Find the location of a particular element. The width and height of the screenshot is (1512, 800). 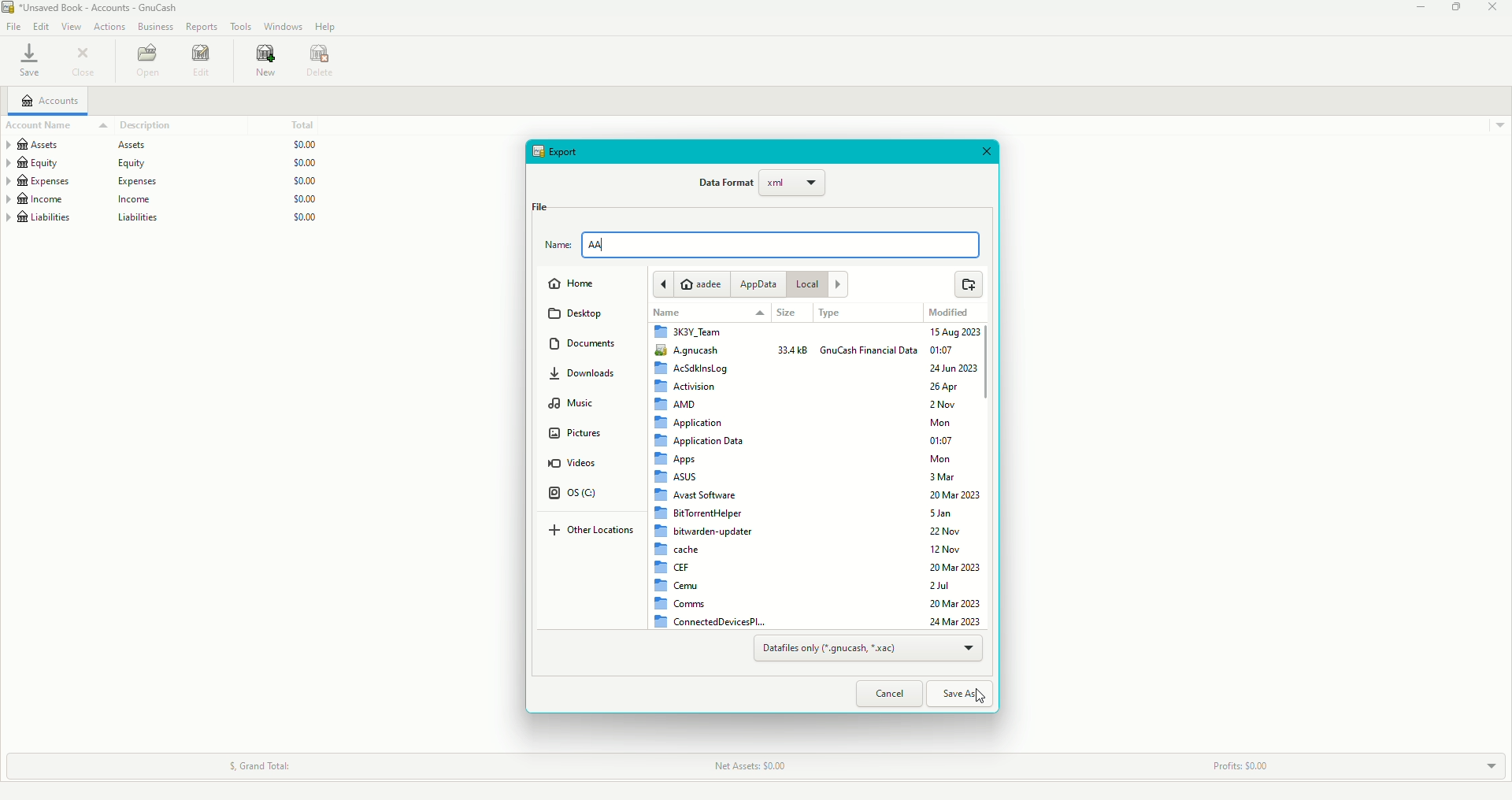

Grant Total is located at coordinates (270, 761).